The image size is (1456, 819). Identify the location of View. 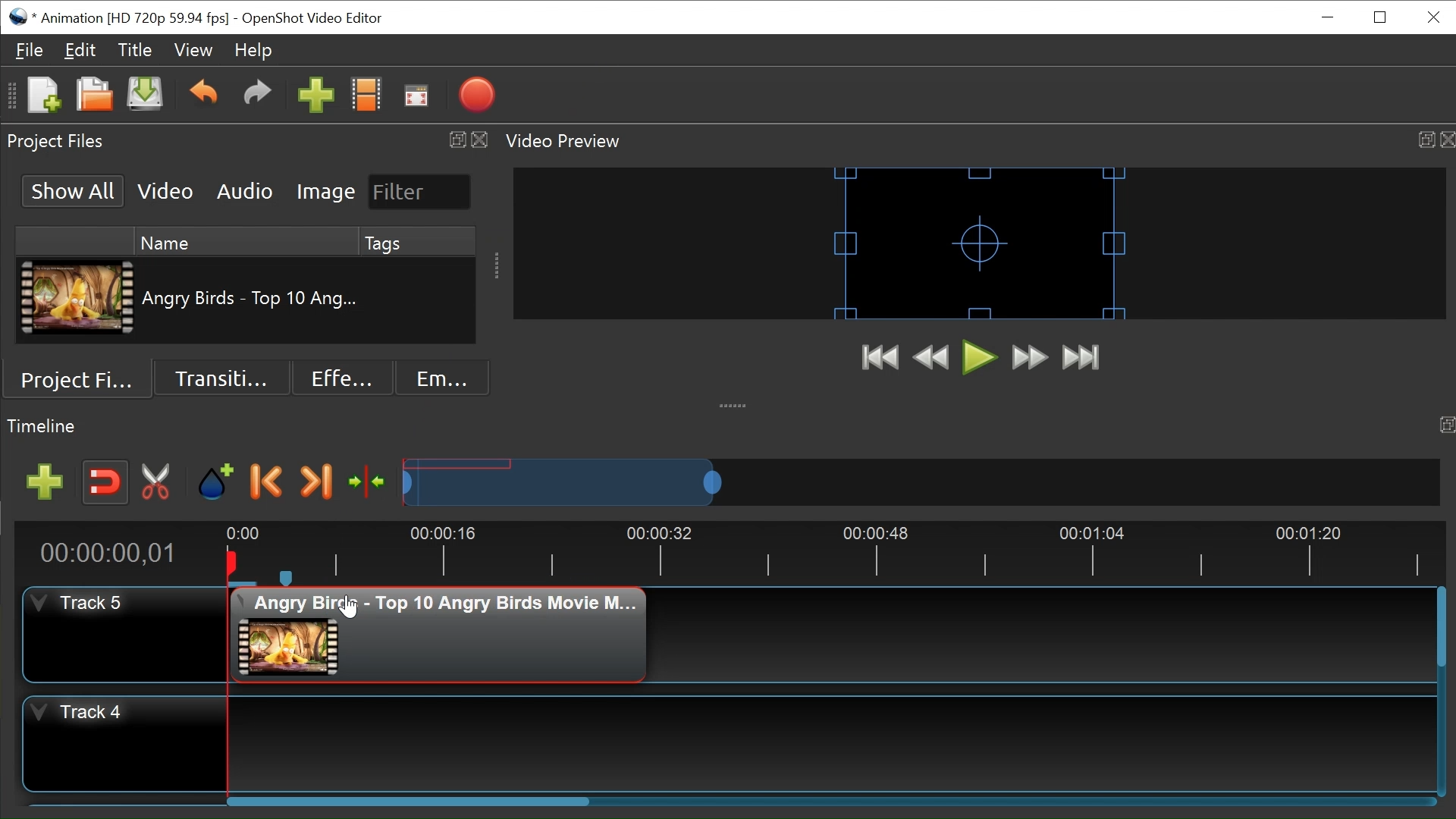
(193, 51).